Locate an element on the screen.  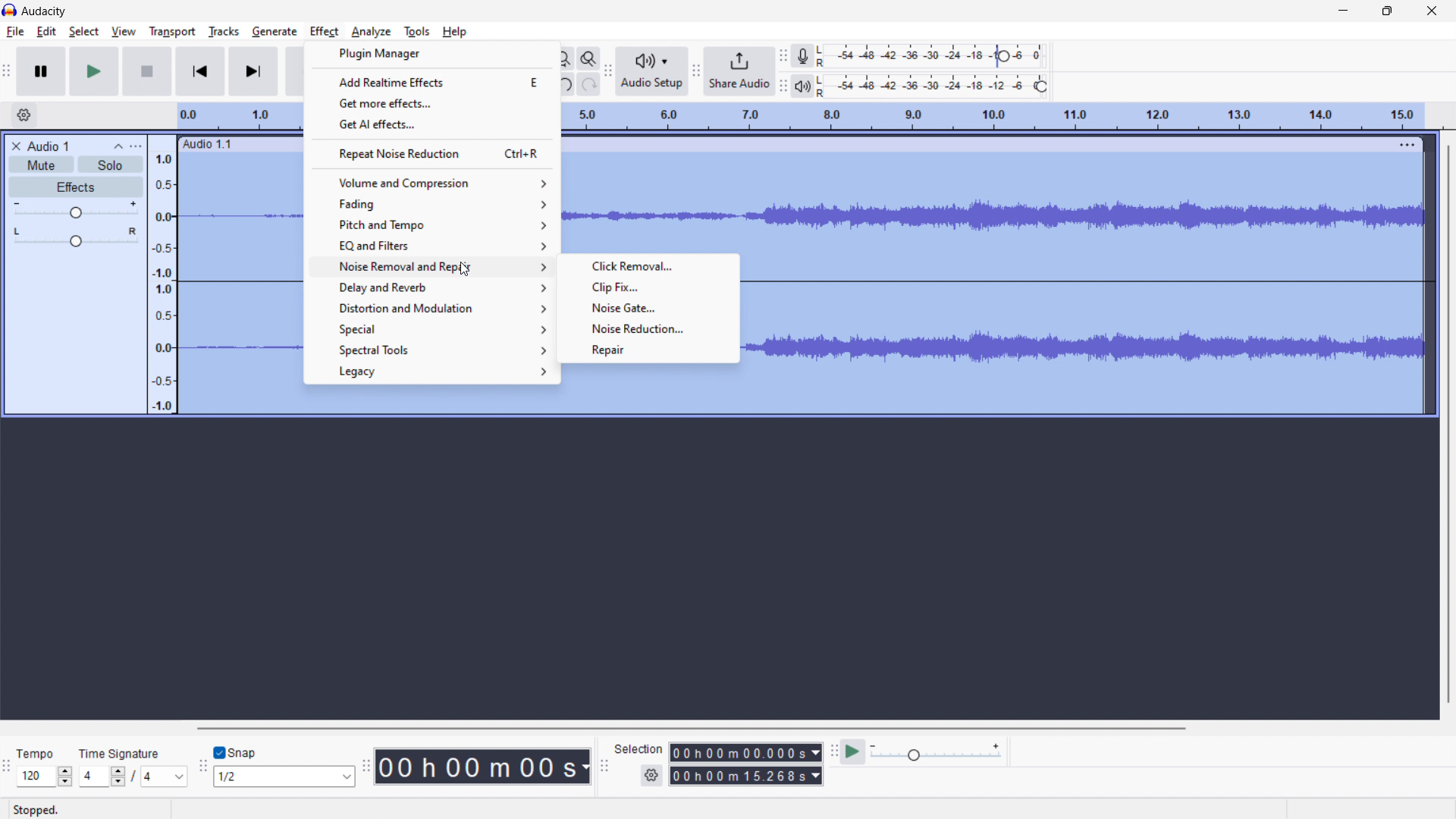
maximize is located at coordinates (1387, 12).